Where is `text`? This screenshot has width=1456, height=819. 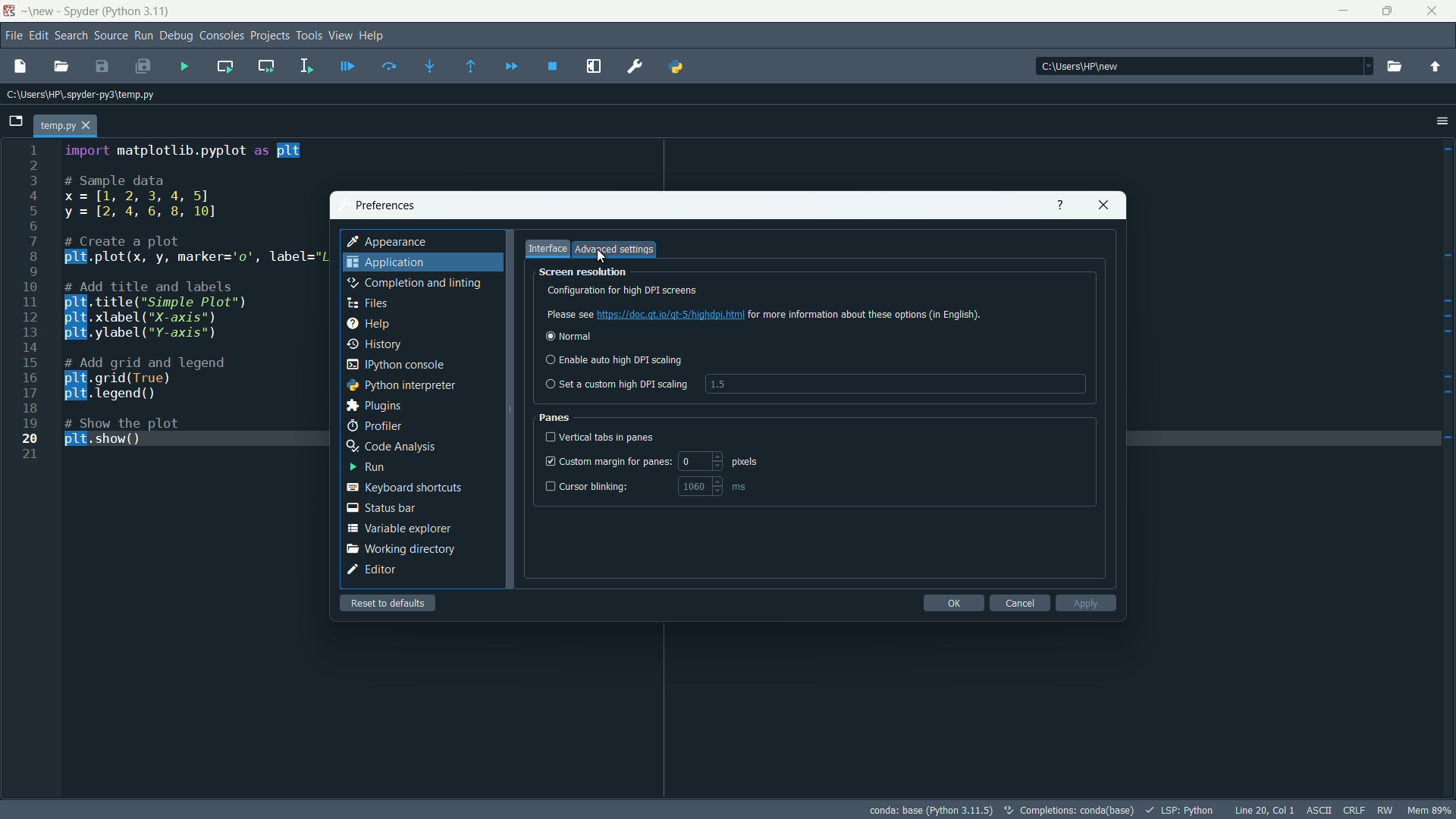 text is located at coordinates (1071, 811).